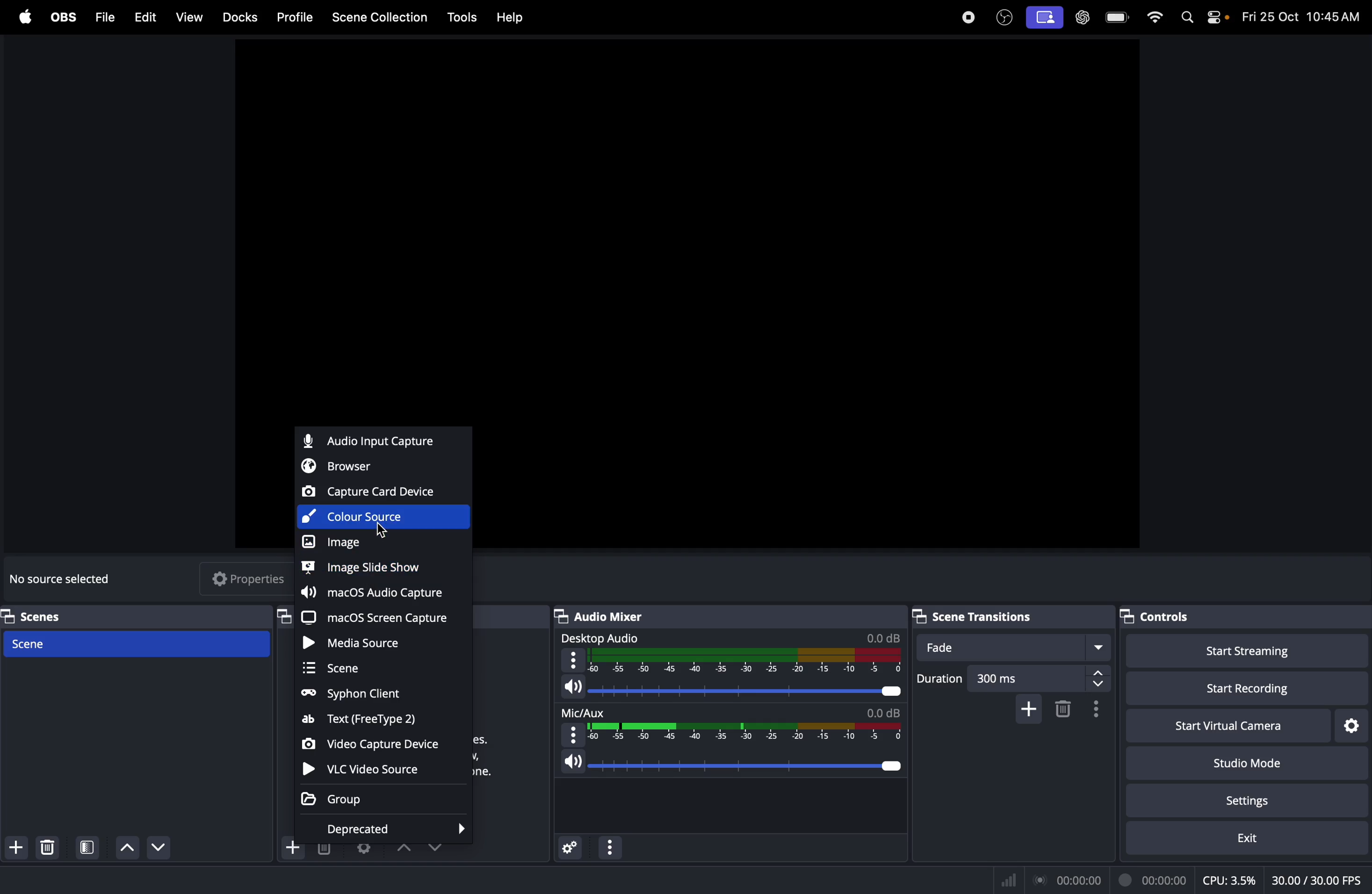  What do you see at coordinates (1065, 709) in the screenshot?
I see `remove configurable` at bounding box center [1065, 709].